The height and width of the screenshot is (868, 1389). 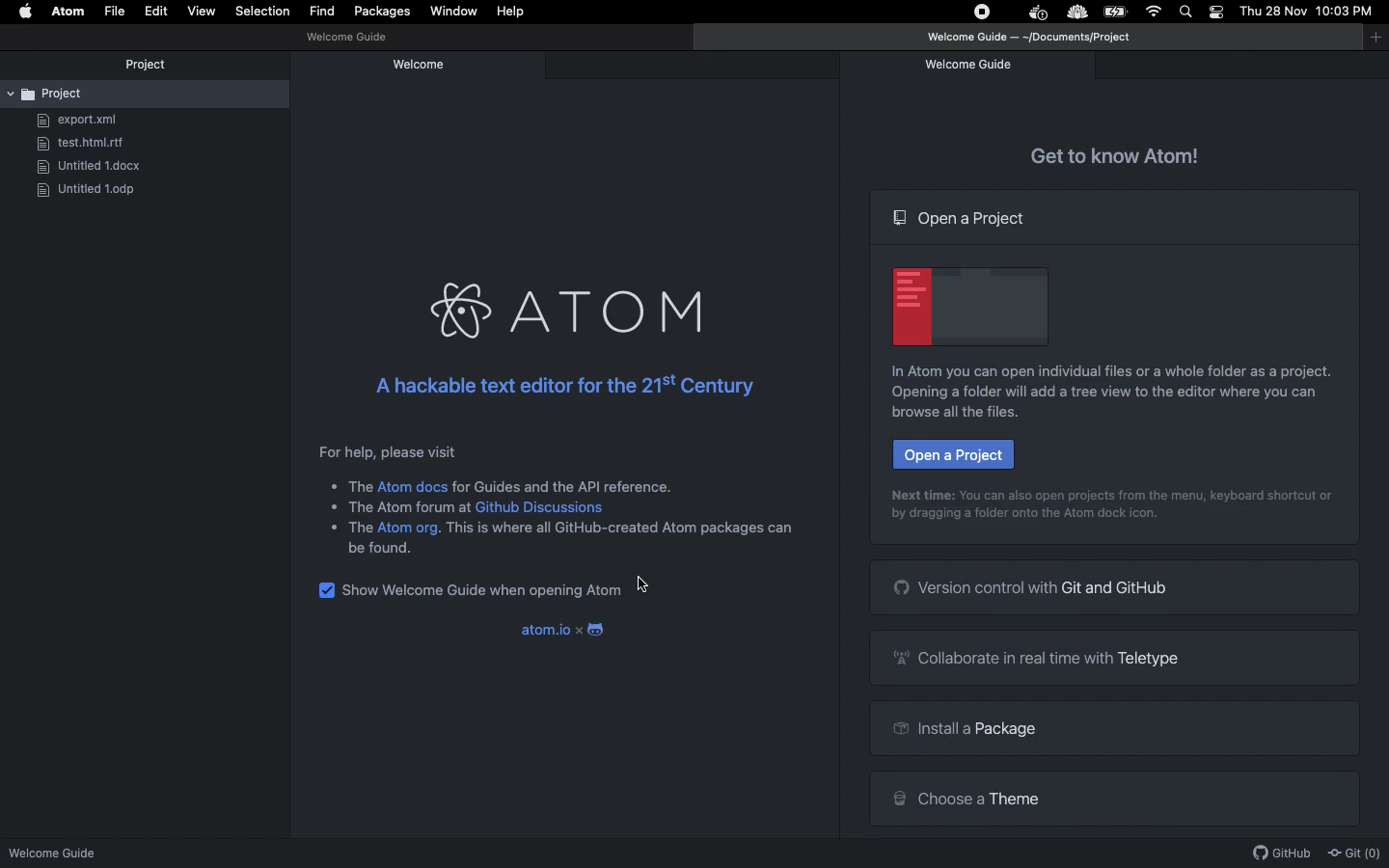 I want to click on Instructional text, so click(x=1021, y=518).